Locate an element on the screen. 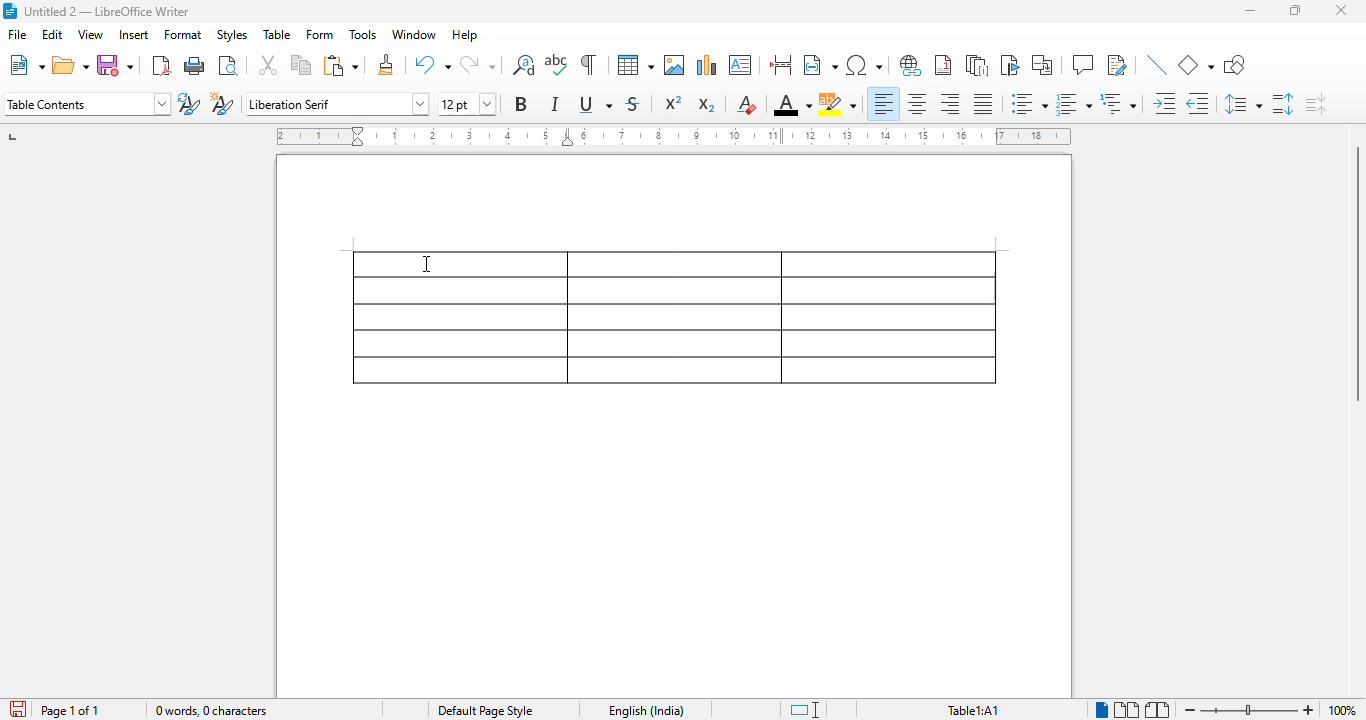  table is located at coordinates (636, 65).